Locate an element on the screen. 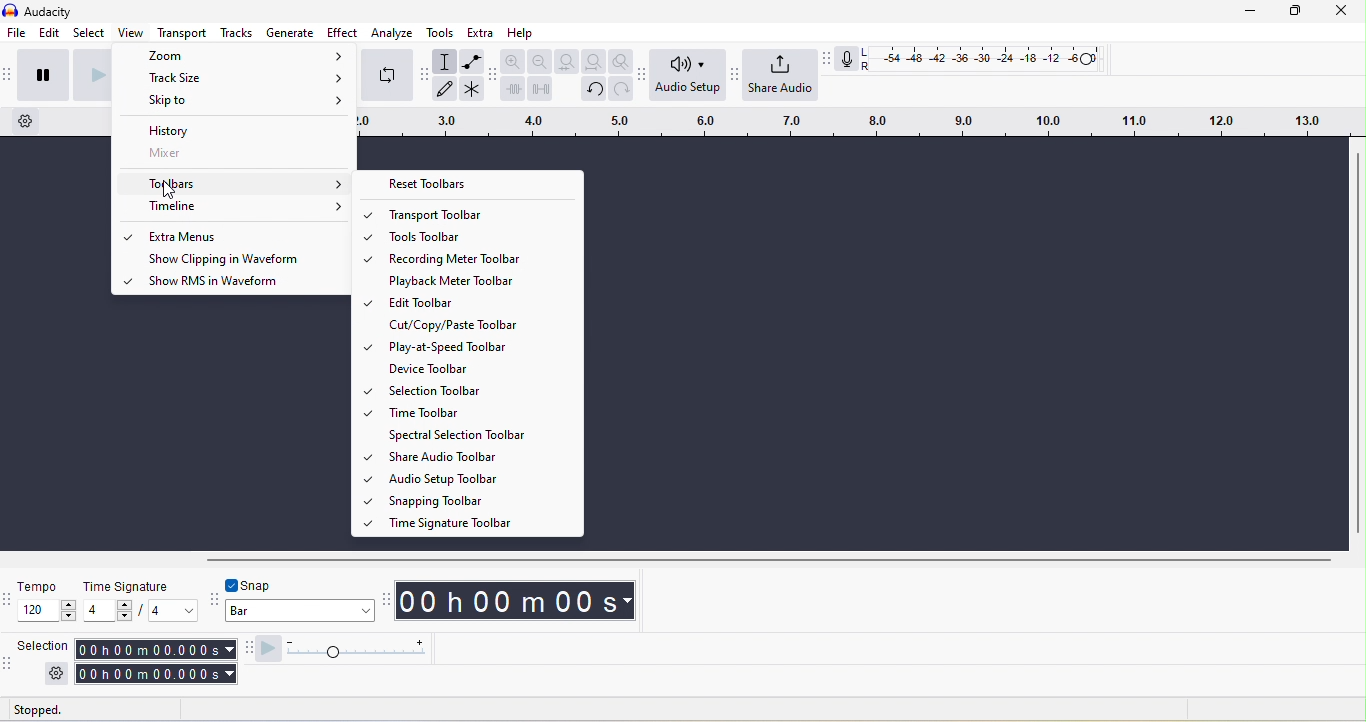 The width and height of the screenshot is (1366, 722). zoom in is located at coordinates (513, 60).